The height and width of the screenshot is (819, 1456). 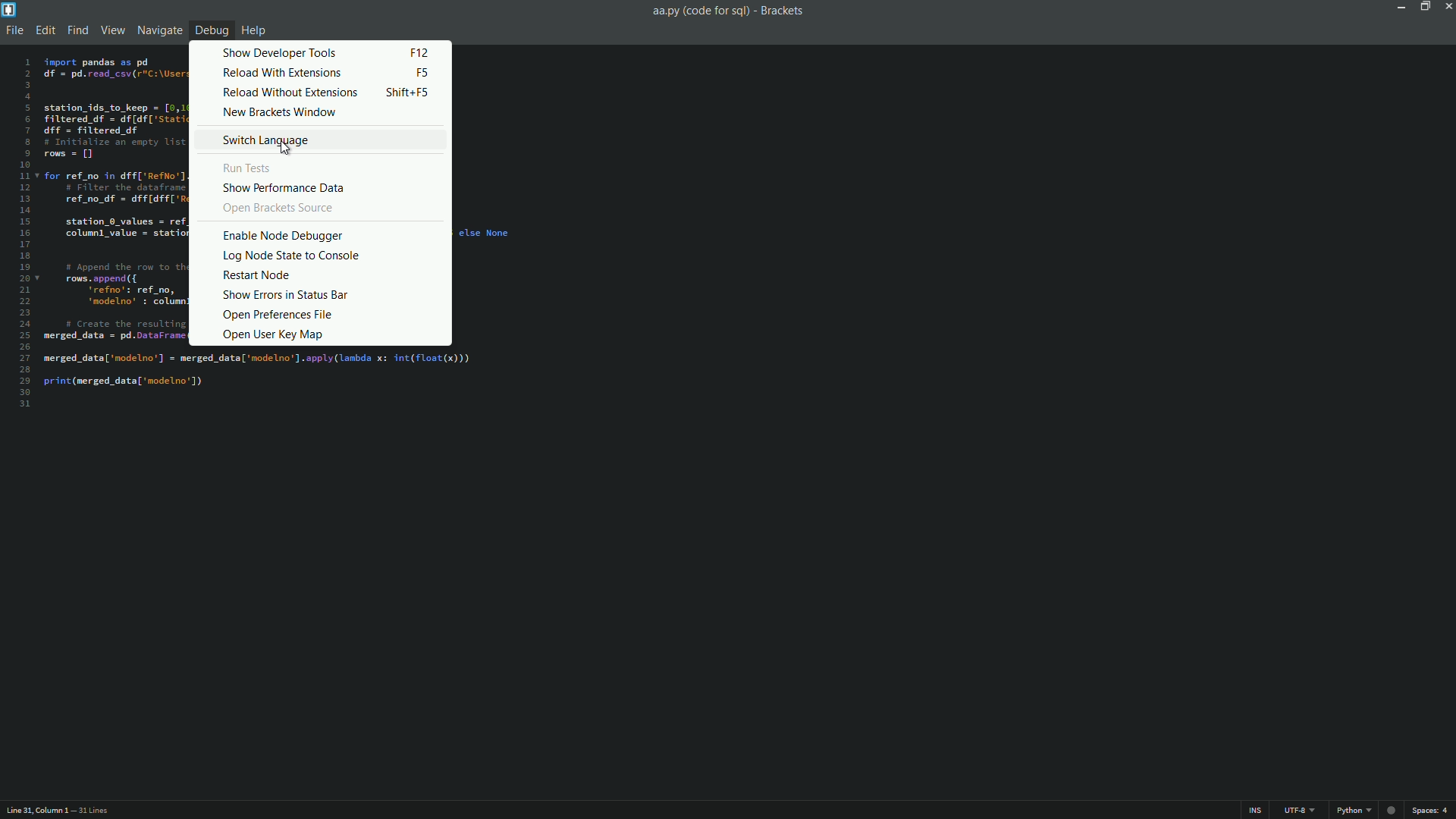 I want to click on show developer tools, so click(x=280, y=52).